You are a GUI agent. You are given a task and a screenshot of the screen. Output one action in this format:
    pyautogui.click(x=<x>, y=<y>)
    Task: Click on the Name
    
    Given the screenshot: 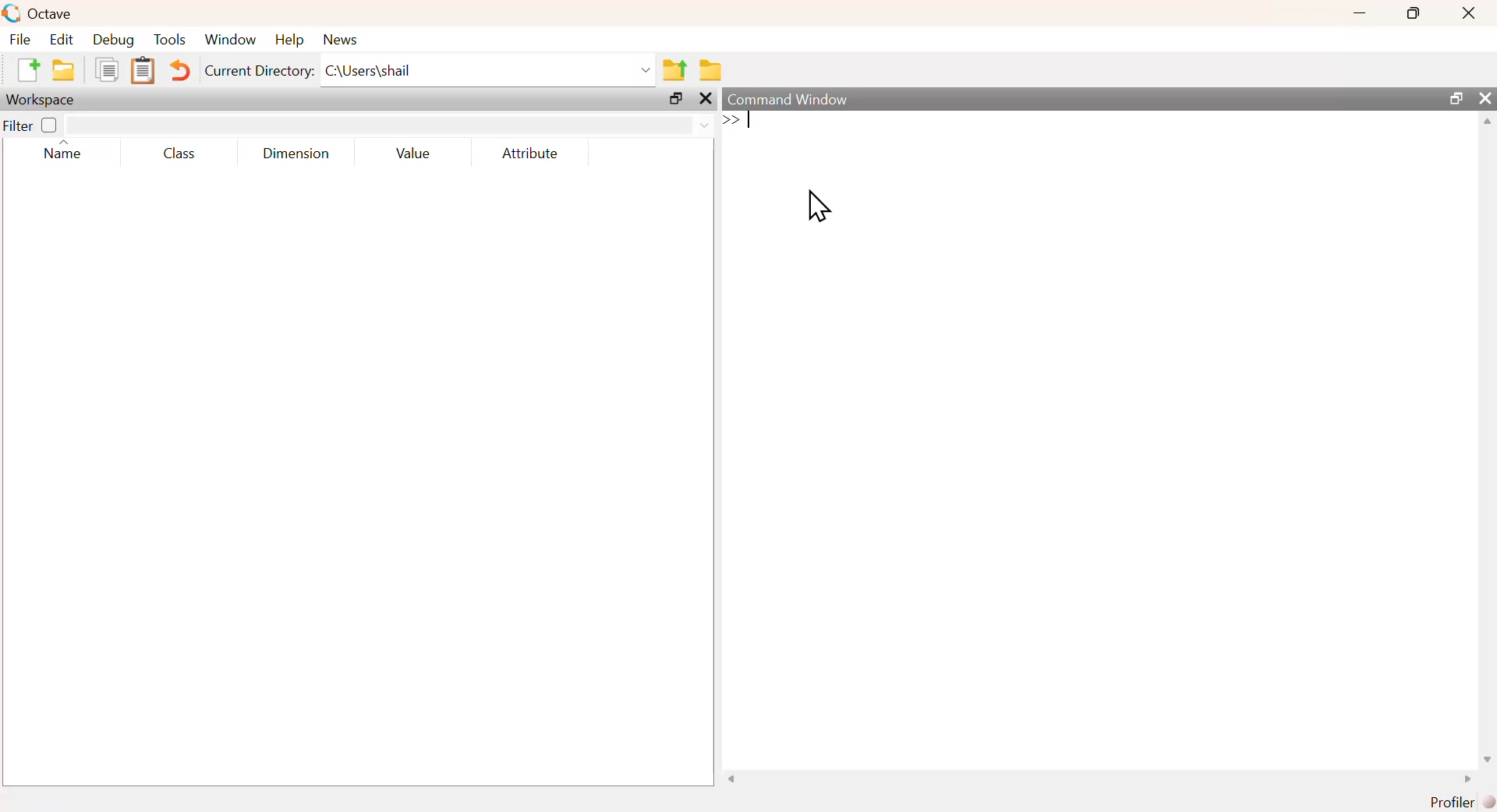 What is the action you would take?
    pyautogui.click(x=65, y=151)
    